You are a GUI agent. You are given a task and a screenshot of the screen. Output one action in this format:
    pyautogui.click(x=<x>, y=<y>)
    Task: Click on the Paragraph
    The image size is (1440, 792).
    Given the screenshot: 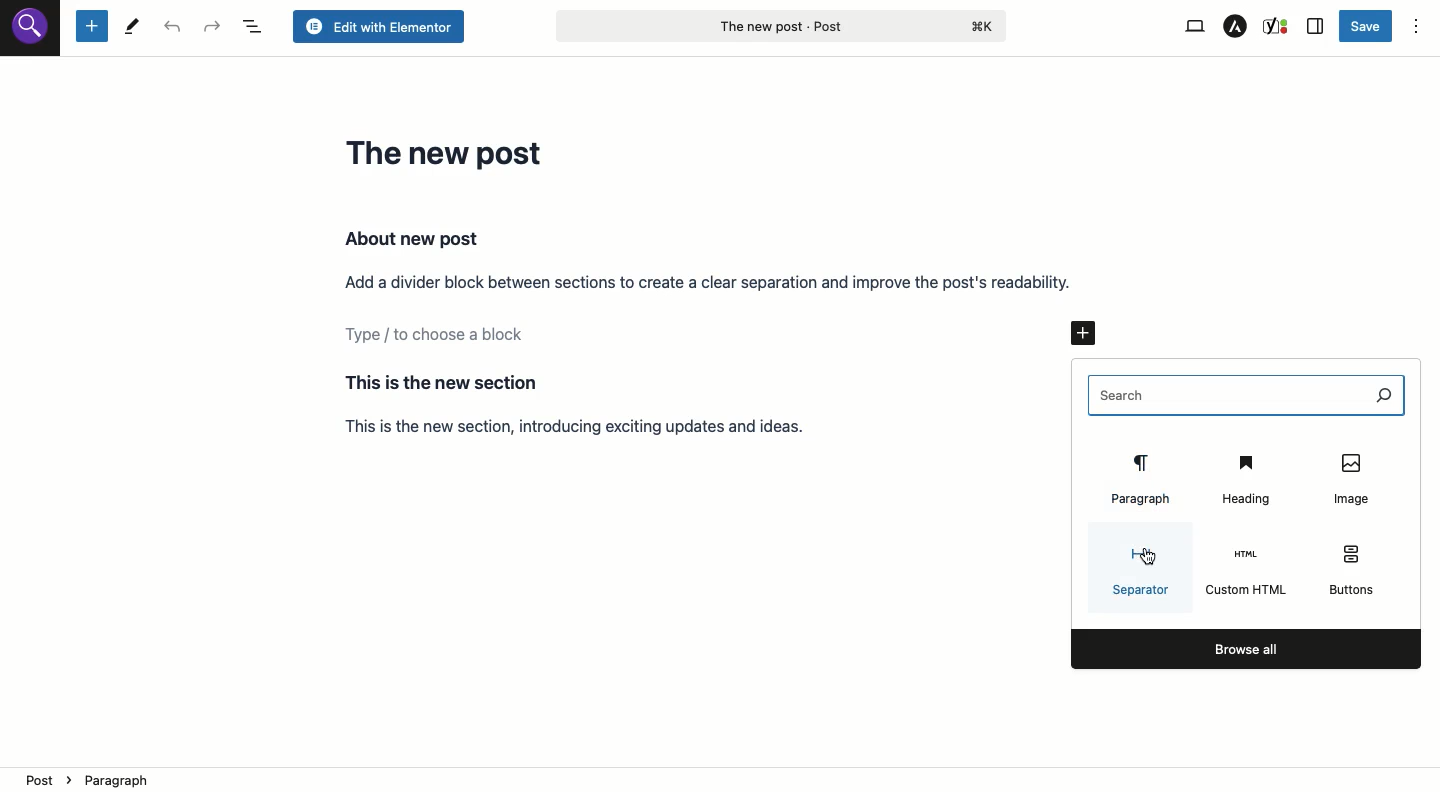 What is the action you would take?
    pyautogui.click(x=1137, y=479)
    